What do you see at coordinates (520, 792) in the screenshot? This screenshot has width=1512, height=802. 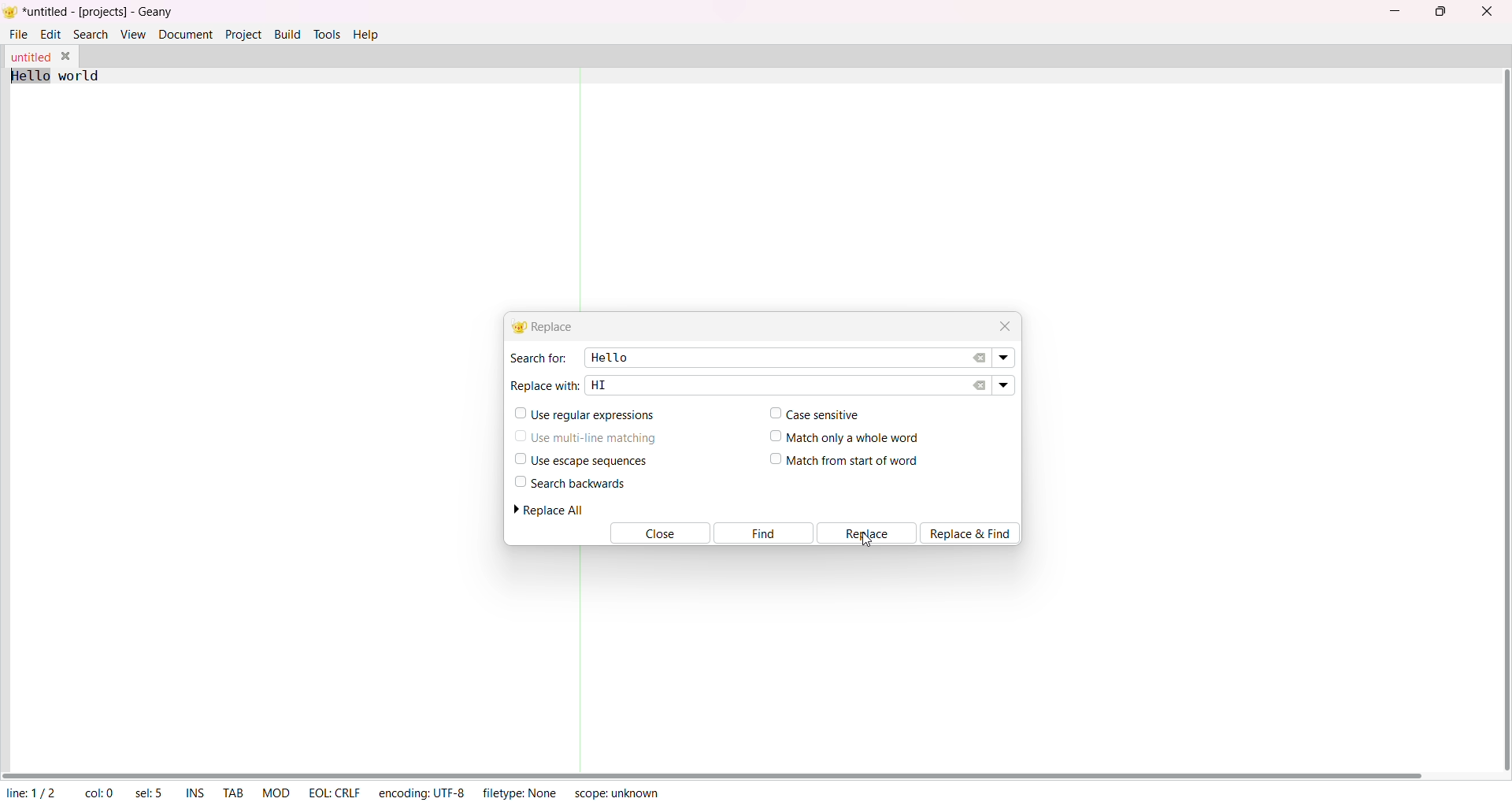 I see `filetype: NONE` at bounding box center [520, 792].